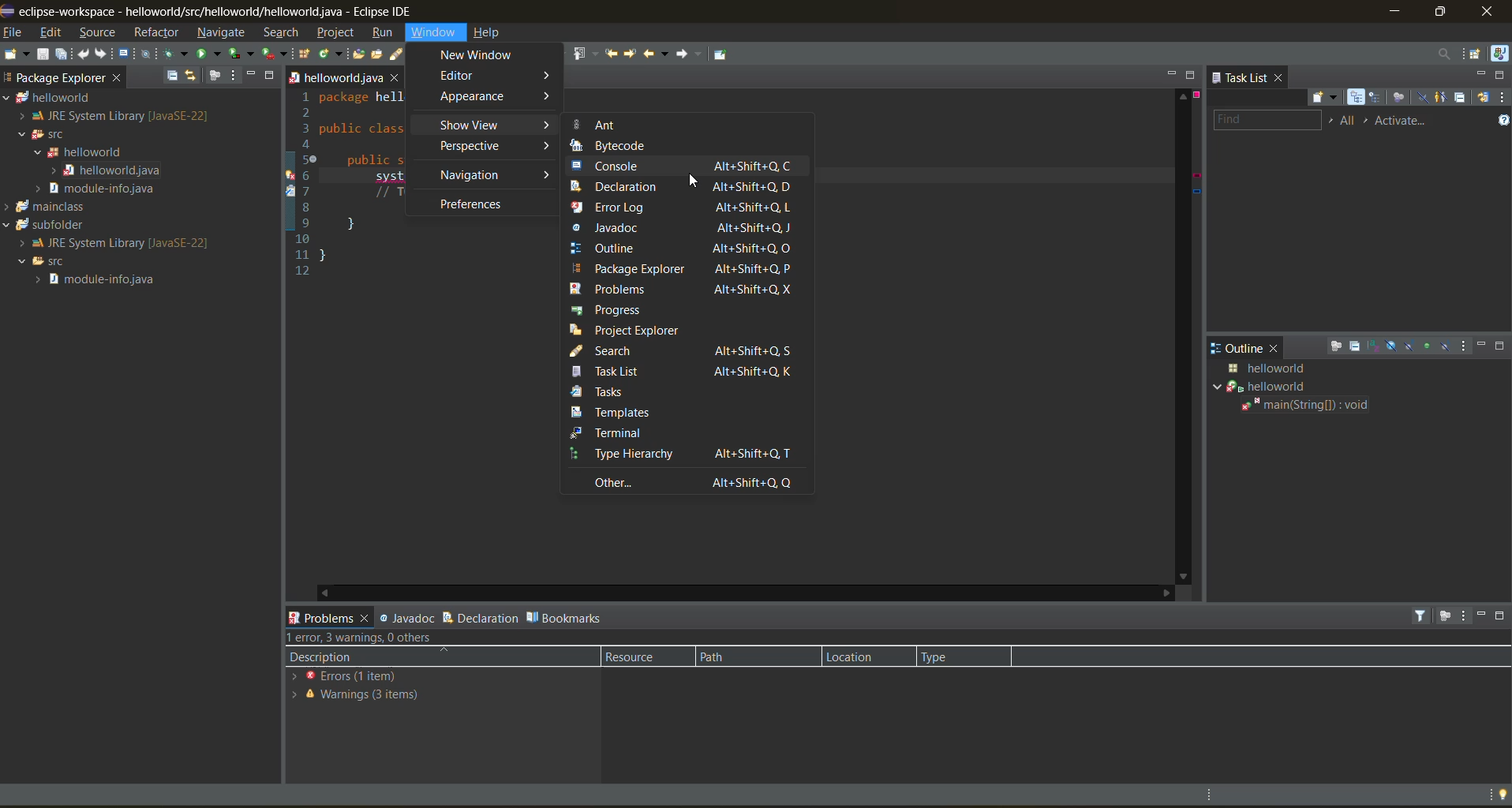 This screenshot has height=808, width=1512. Describe the element at coordinates (691, 371) in the screenshot. I see `task list` at that location.